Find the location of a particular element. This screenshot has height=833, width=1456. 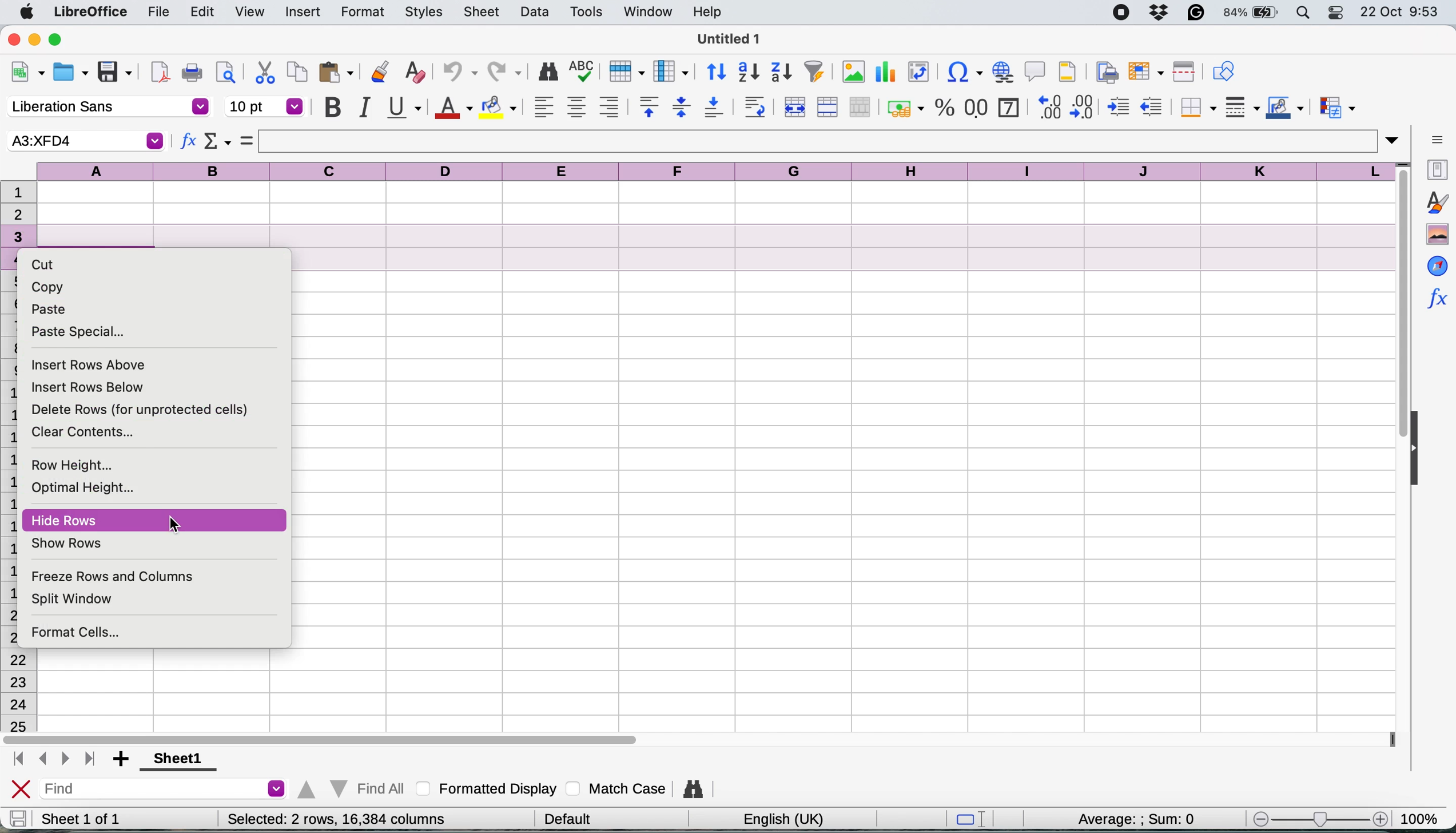

decrease indent is located at coordinates (1153, 106).